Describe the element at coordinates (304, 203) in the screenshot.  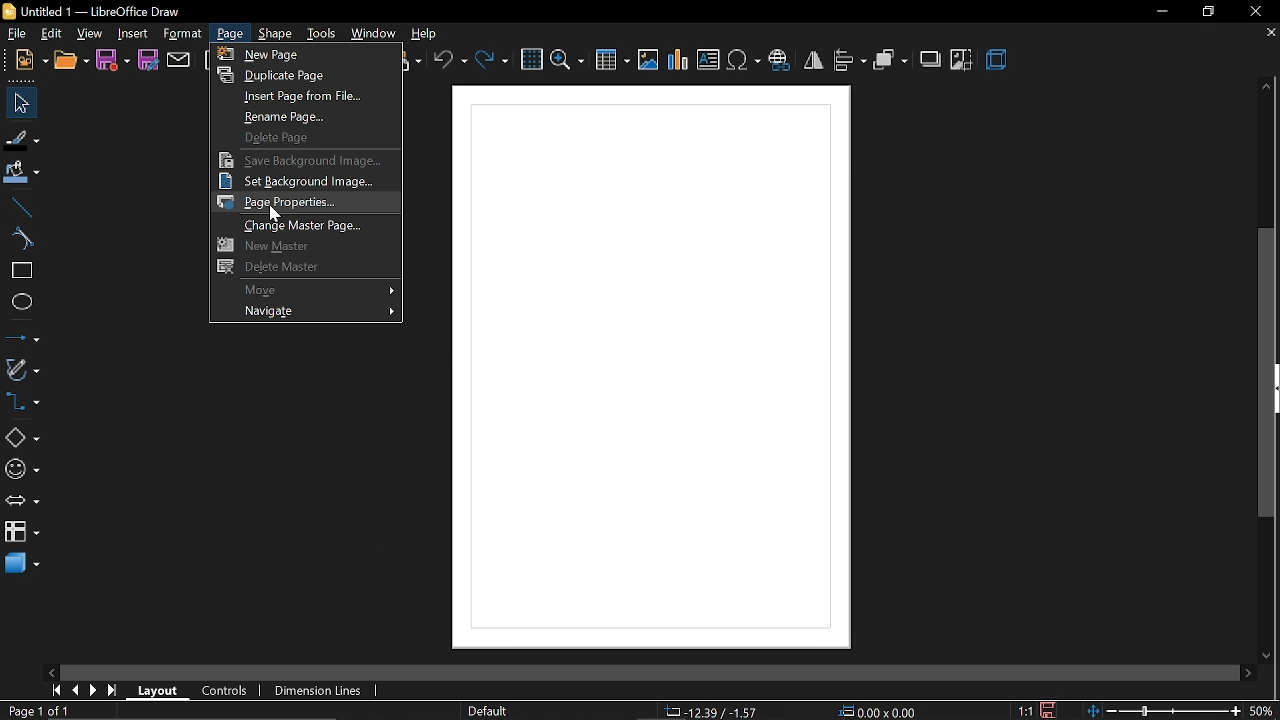
I see `page properties` at that location.